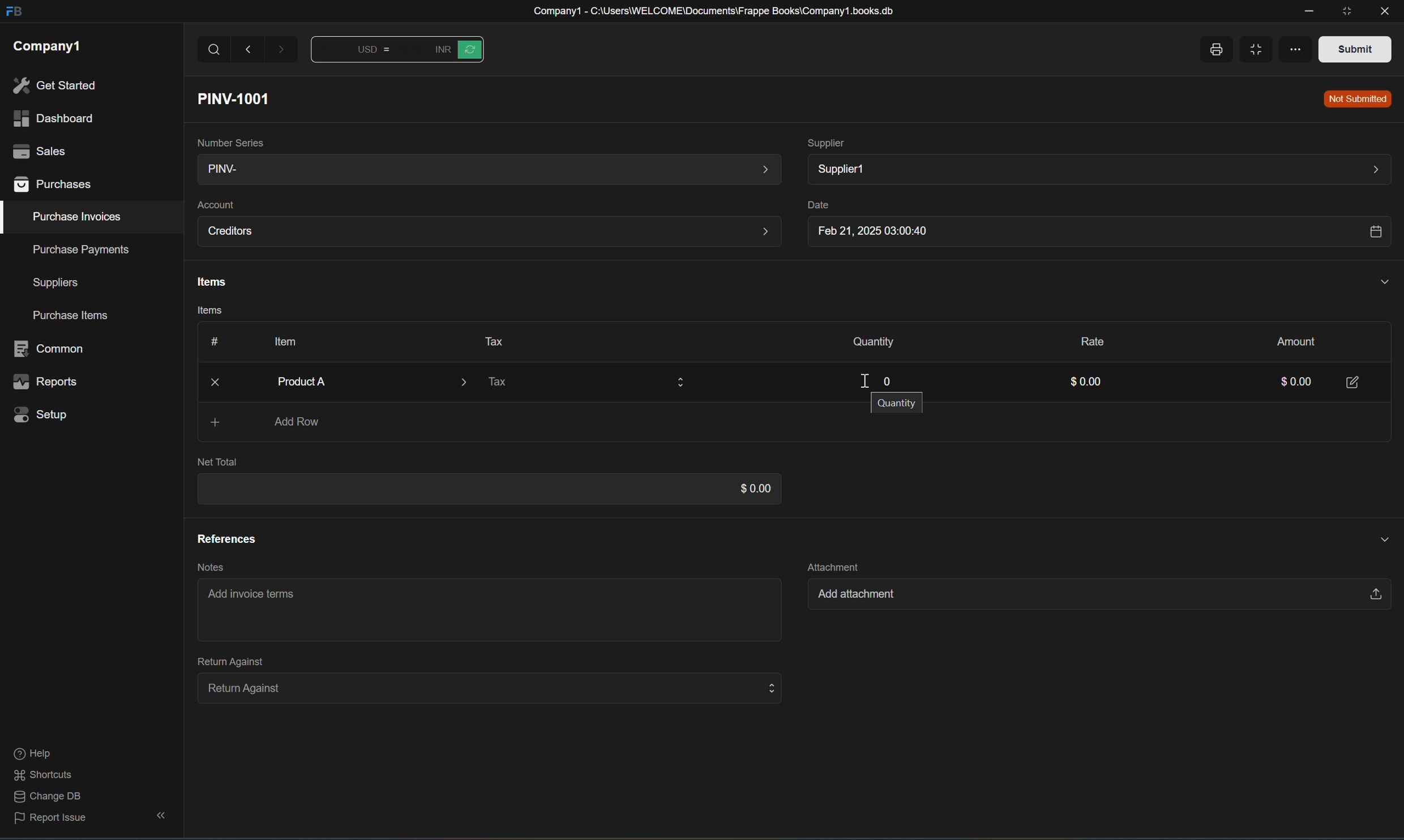  What do you see at coordinates (1381, 281) in the screenshot?
I see `Hide` at bounding box center [1381, 281].